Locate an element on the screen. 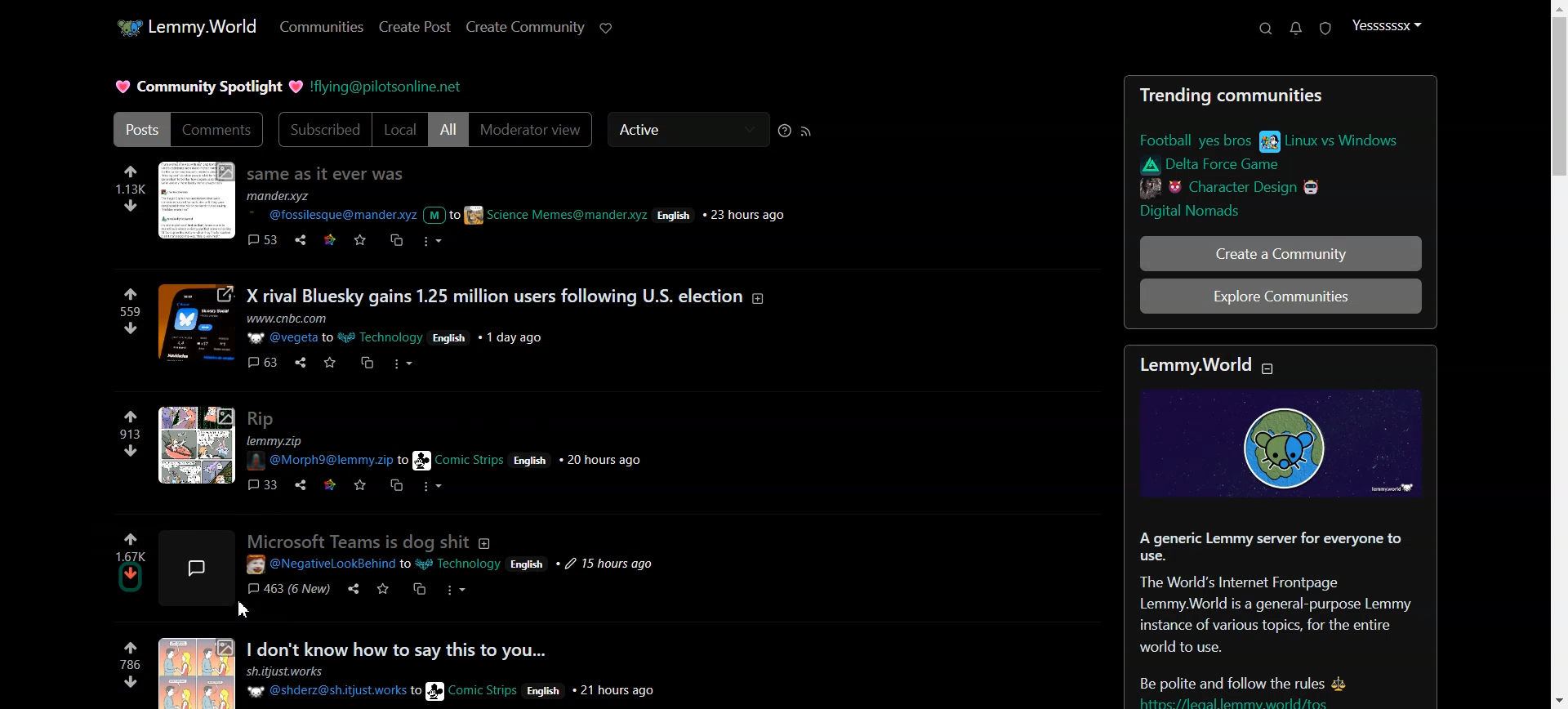  link is located at coordinates (331, 486).